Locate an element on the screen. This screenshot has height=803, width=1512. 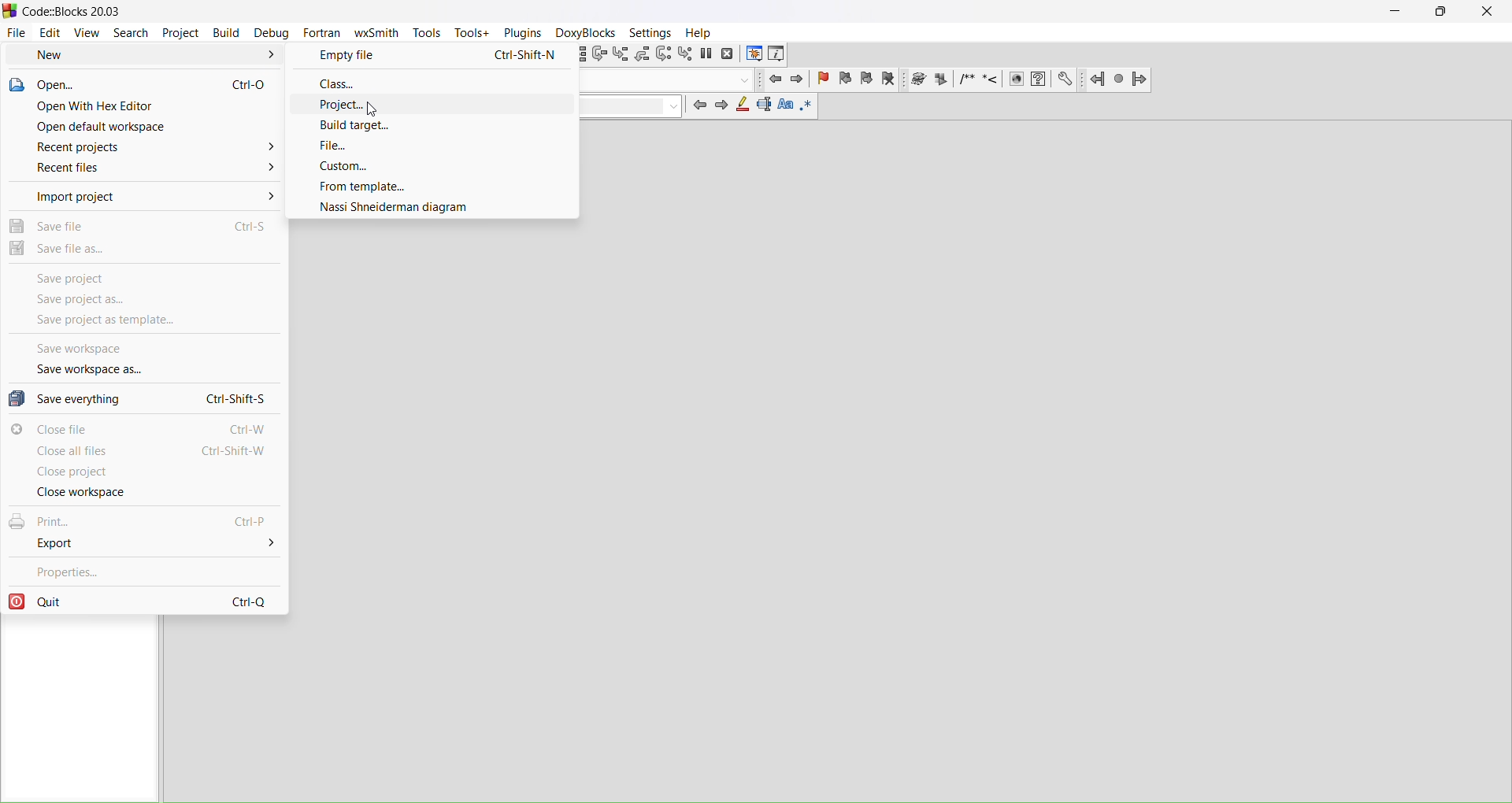
Insert line is located at coordinates (991, 80).